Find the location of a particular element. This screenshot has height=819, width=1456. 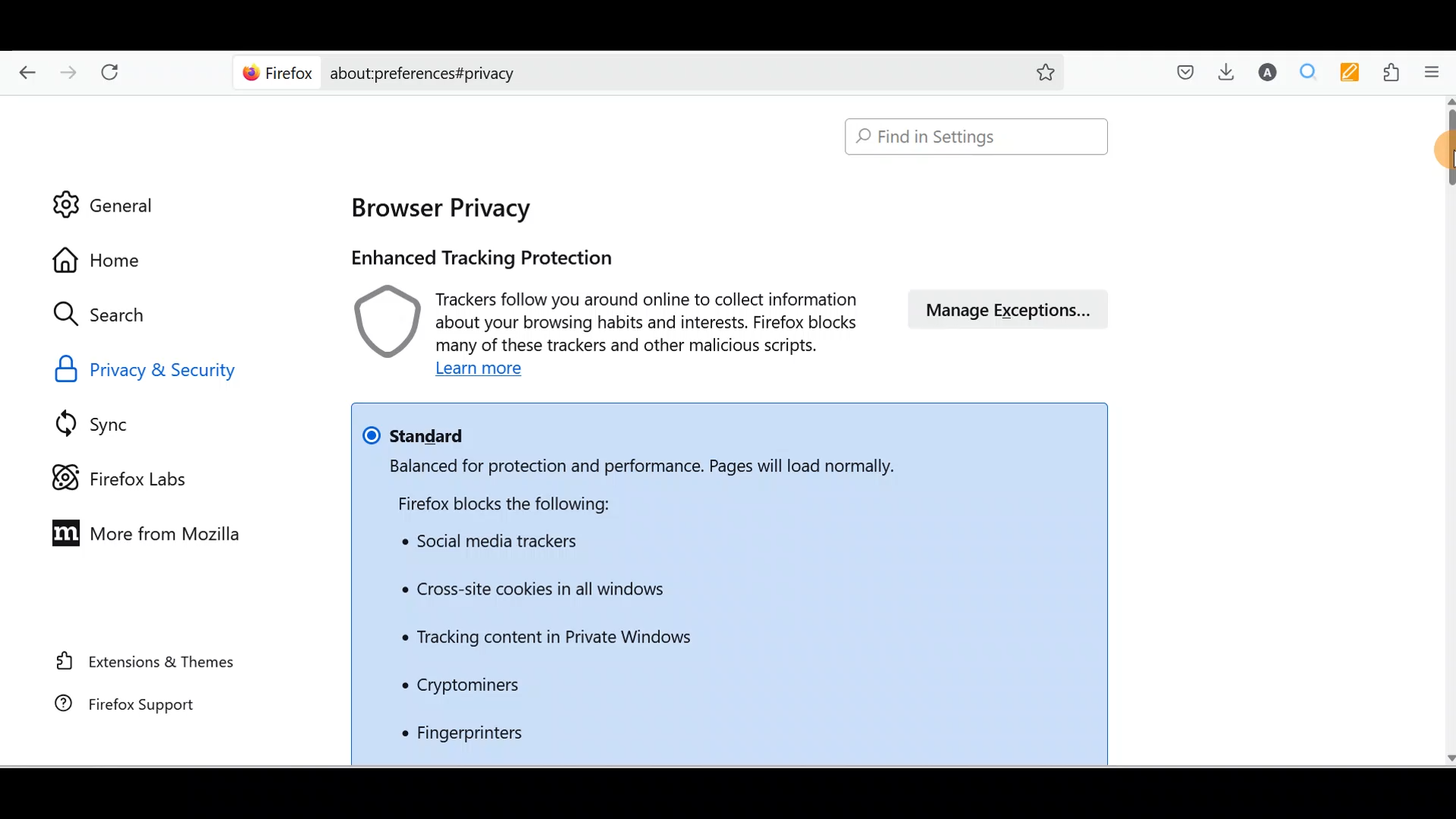

move down is located at coordinates (1447, 756).